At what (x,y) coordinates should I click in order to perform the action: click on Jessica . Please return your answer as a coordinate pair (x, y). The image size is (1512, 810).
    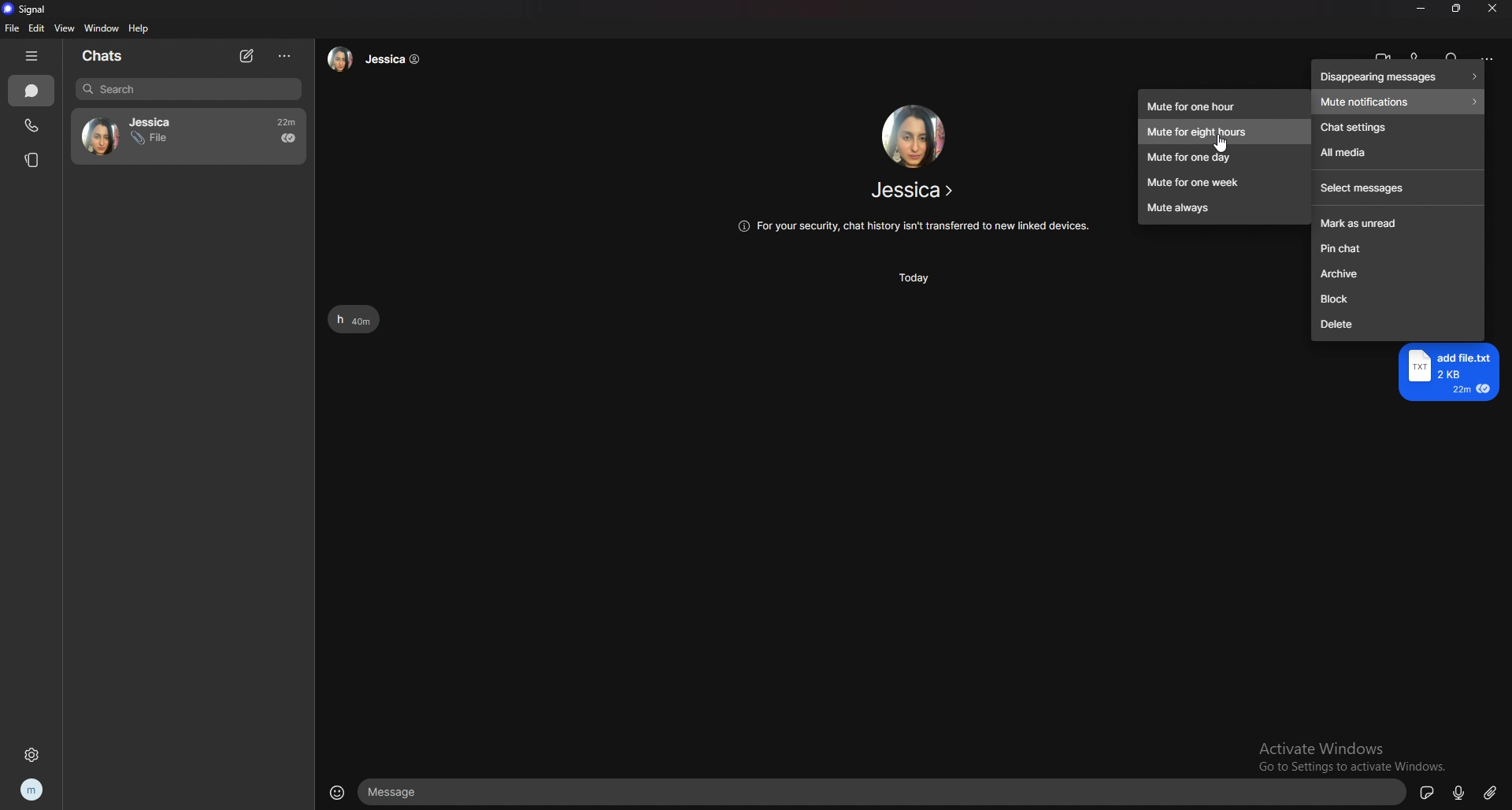
    Looking at the image, I should click on (383, 65).